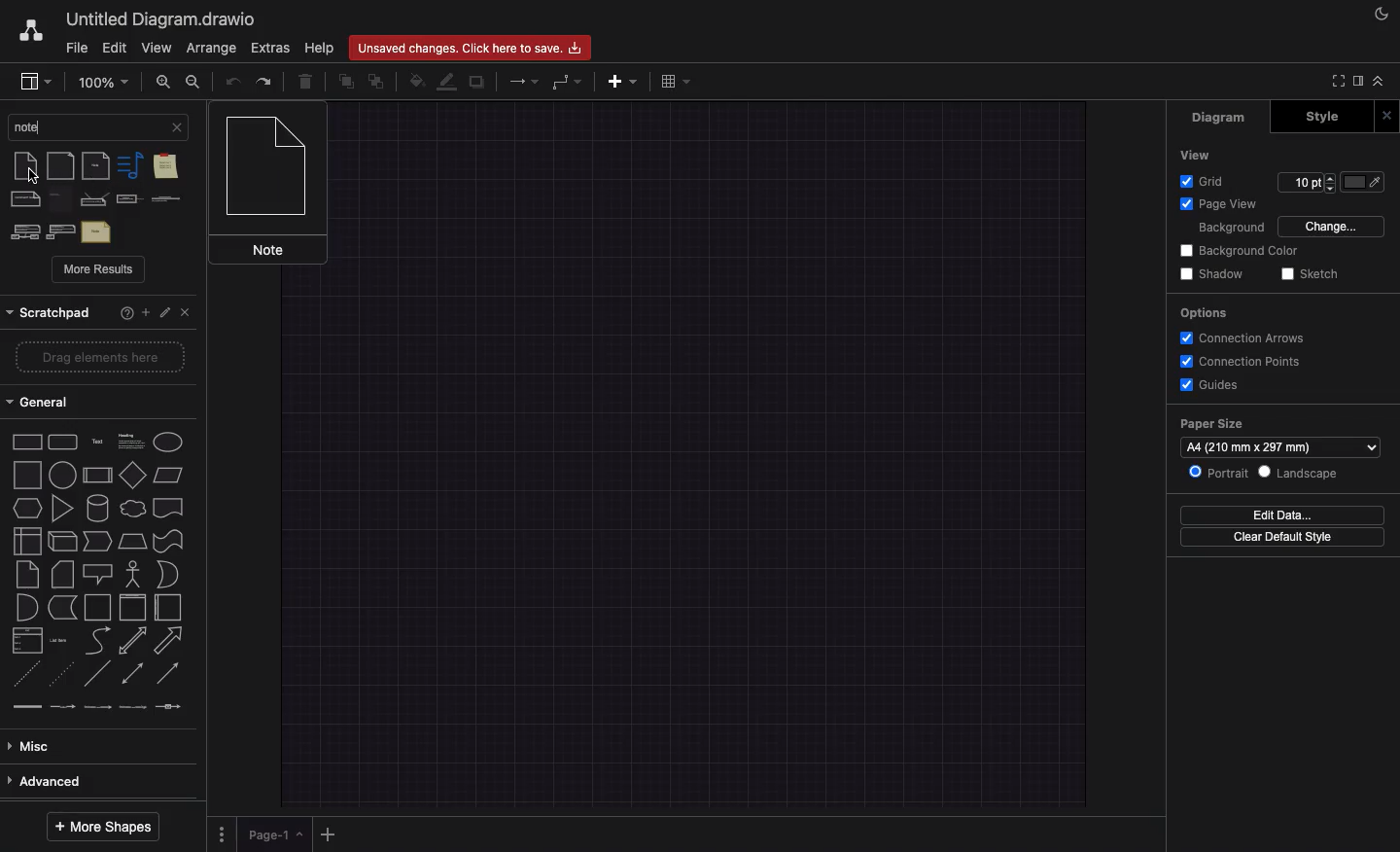 The width and height of the screenshot is (1400, 852). What do you see at coordinates (99, 270) in the screenshot?
I see `More results` at bounding box center [99, 270].